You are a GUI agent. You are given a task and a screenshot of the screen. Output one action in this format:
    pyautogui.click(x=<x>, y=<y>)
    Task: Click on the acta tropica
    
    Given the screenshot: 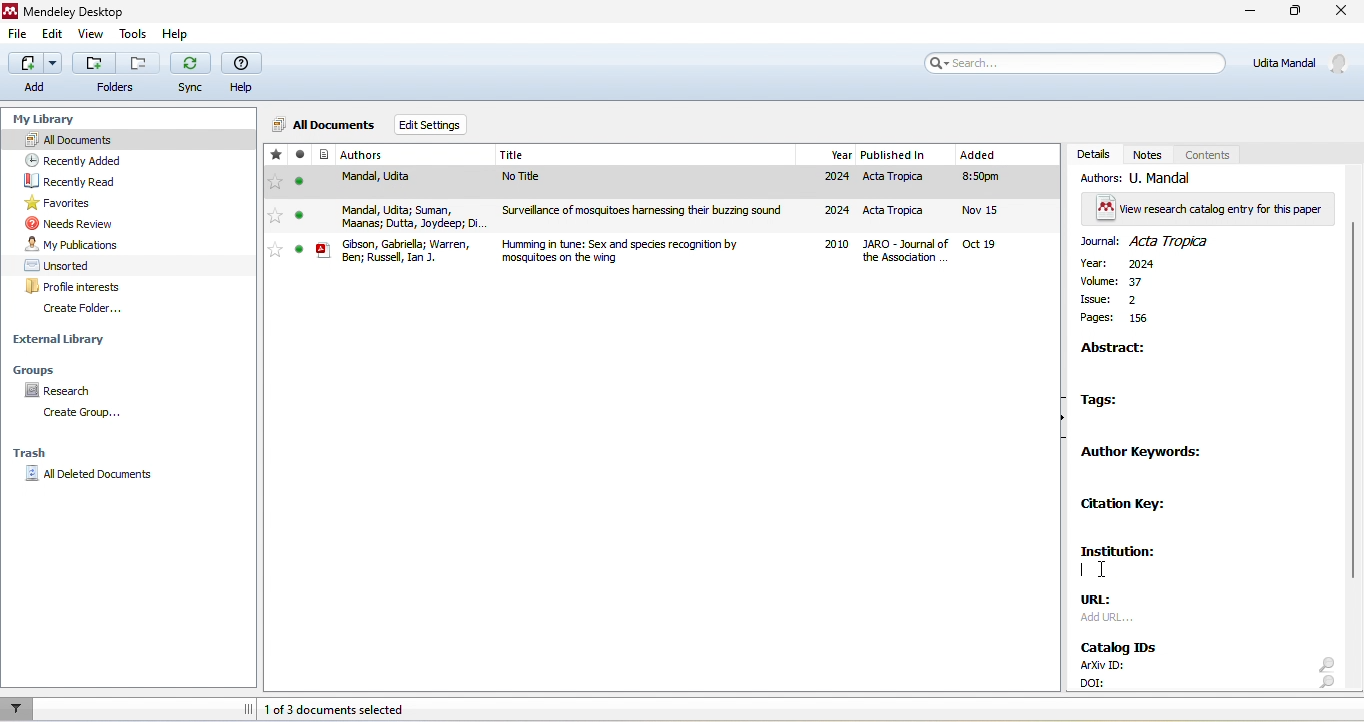 What is the action you would take?
    pyautogui.click(x=908, y=181)
    